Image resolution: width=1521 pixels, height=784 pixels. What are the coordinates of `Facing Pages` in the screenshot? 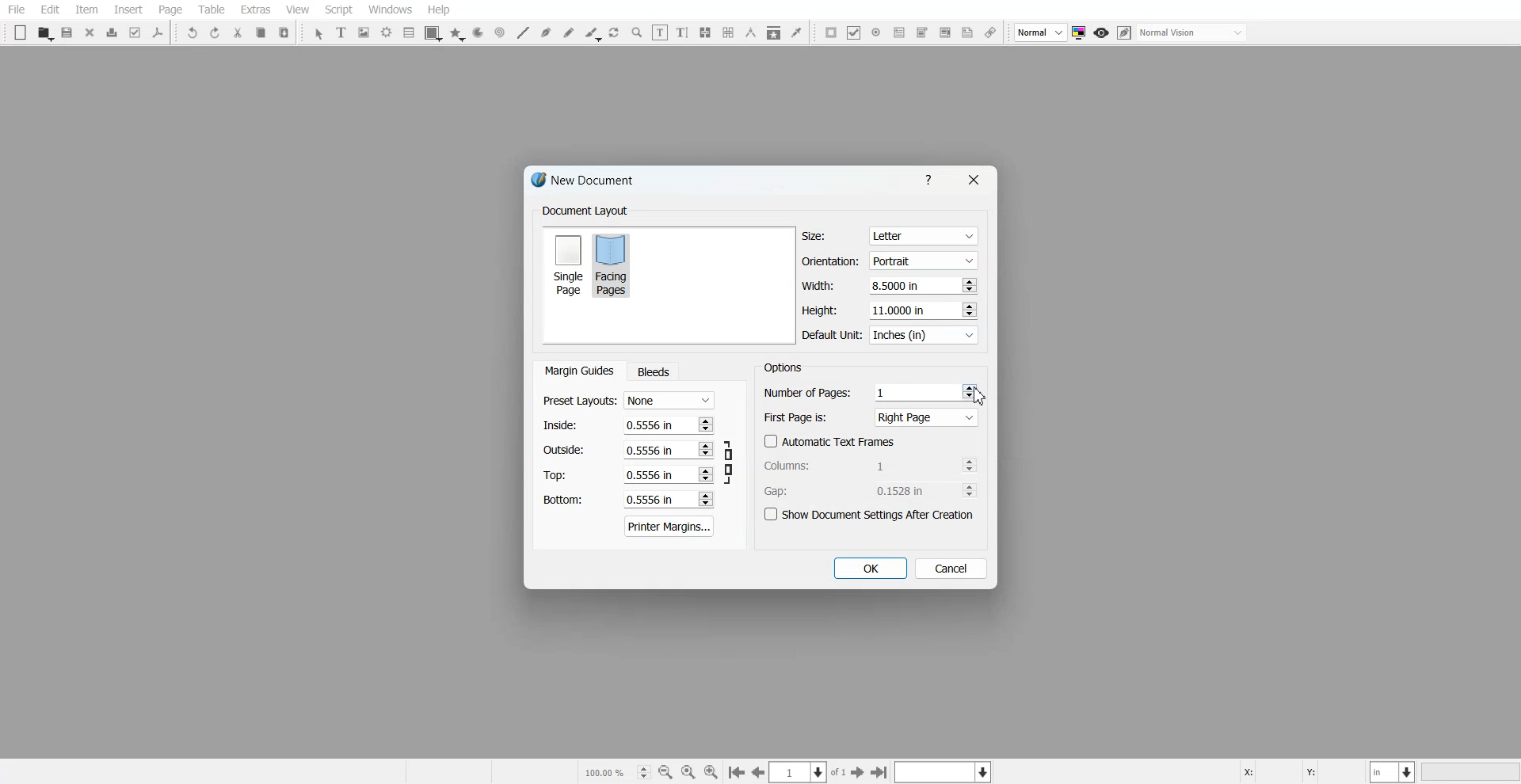 It's located at (614, 265).